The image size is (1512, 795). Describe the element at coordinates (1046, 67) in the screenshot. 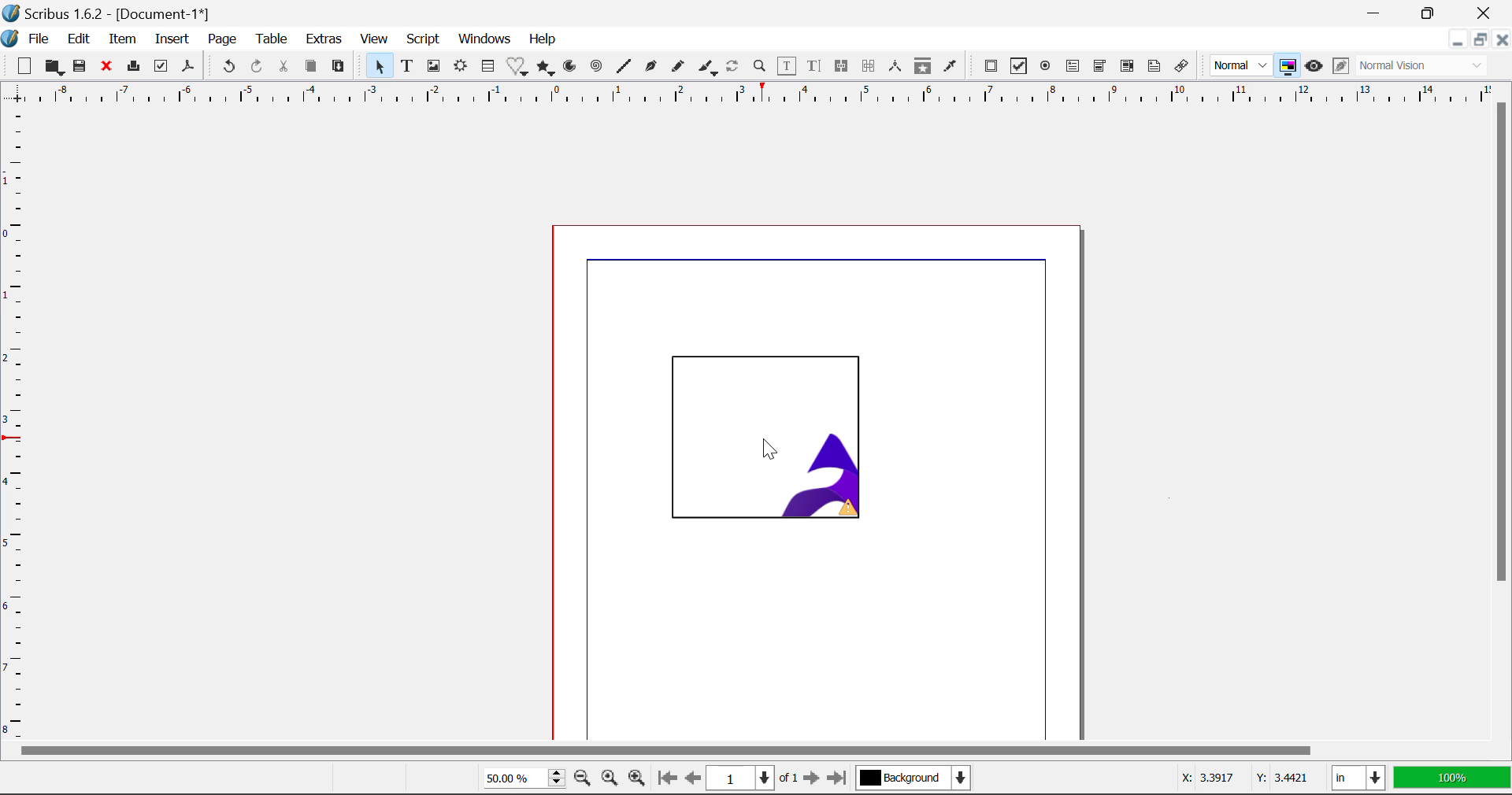

I see `Pdf Radio Button` at that location.